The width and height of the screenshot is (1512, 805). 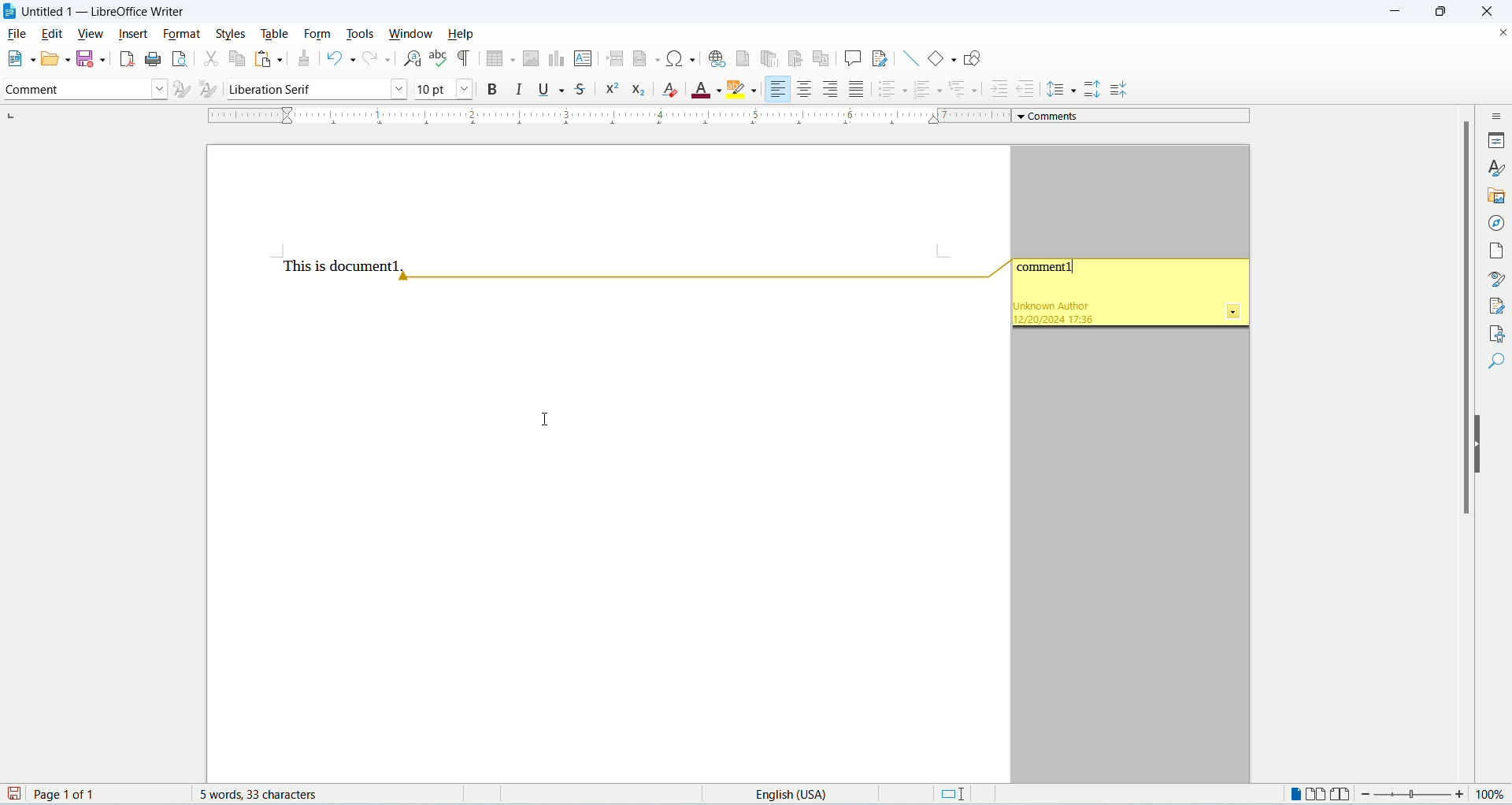 What do you see at coordinates (54, 60) in the screenshot?
I see `open` at bounding box center [54, 60].